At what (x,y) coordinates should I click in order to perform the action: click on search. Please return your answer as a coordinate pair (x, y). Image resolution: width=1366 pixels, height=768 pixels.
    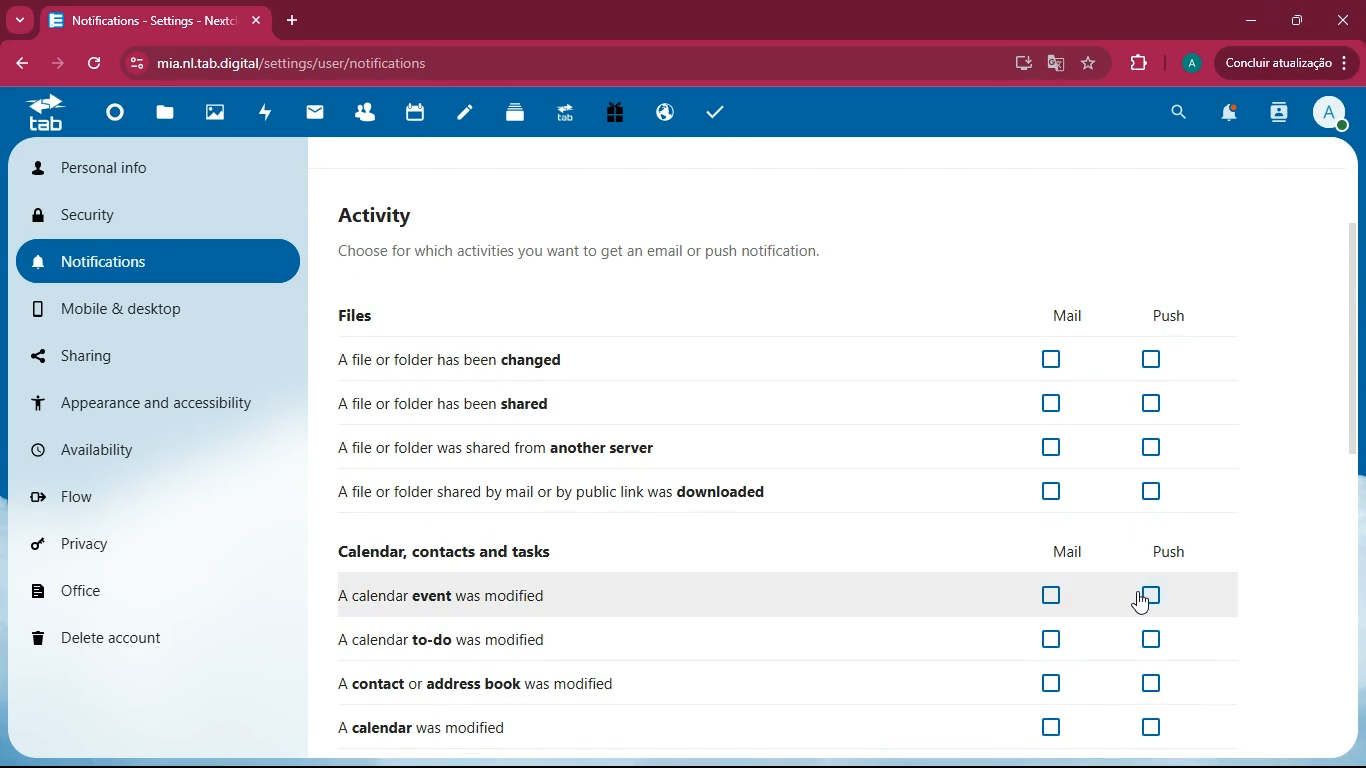
    Looking at the image, I should click on (1182, 112).